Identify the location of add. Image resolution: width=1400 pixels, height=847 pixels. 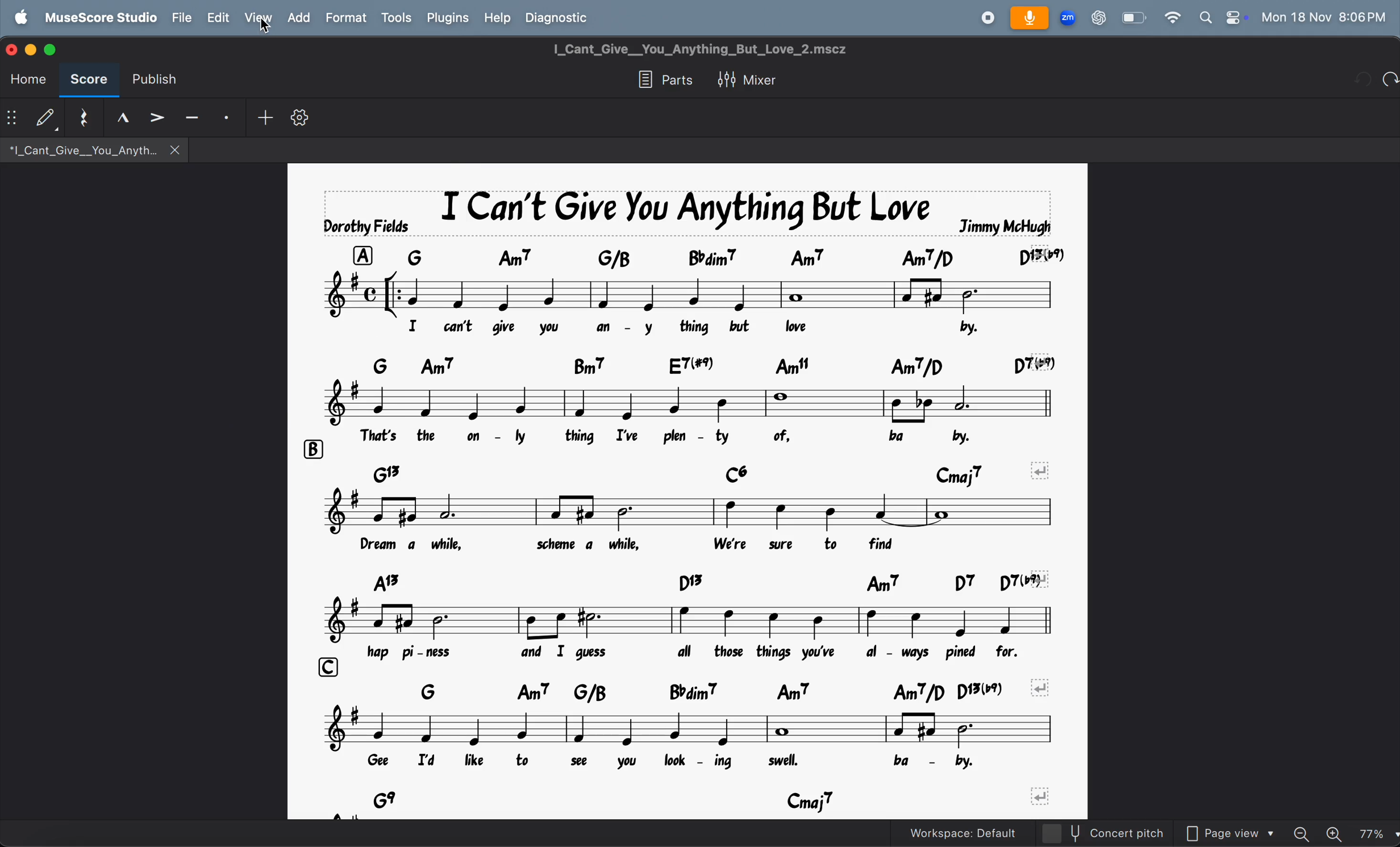
(298, 17).